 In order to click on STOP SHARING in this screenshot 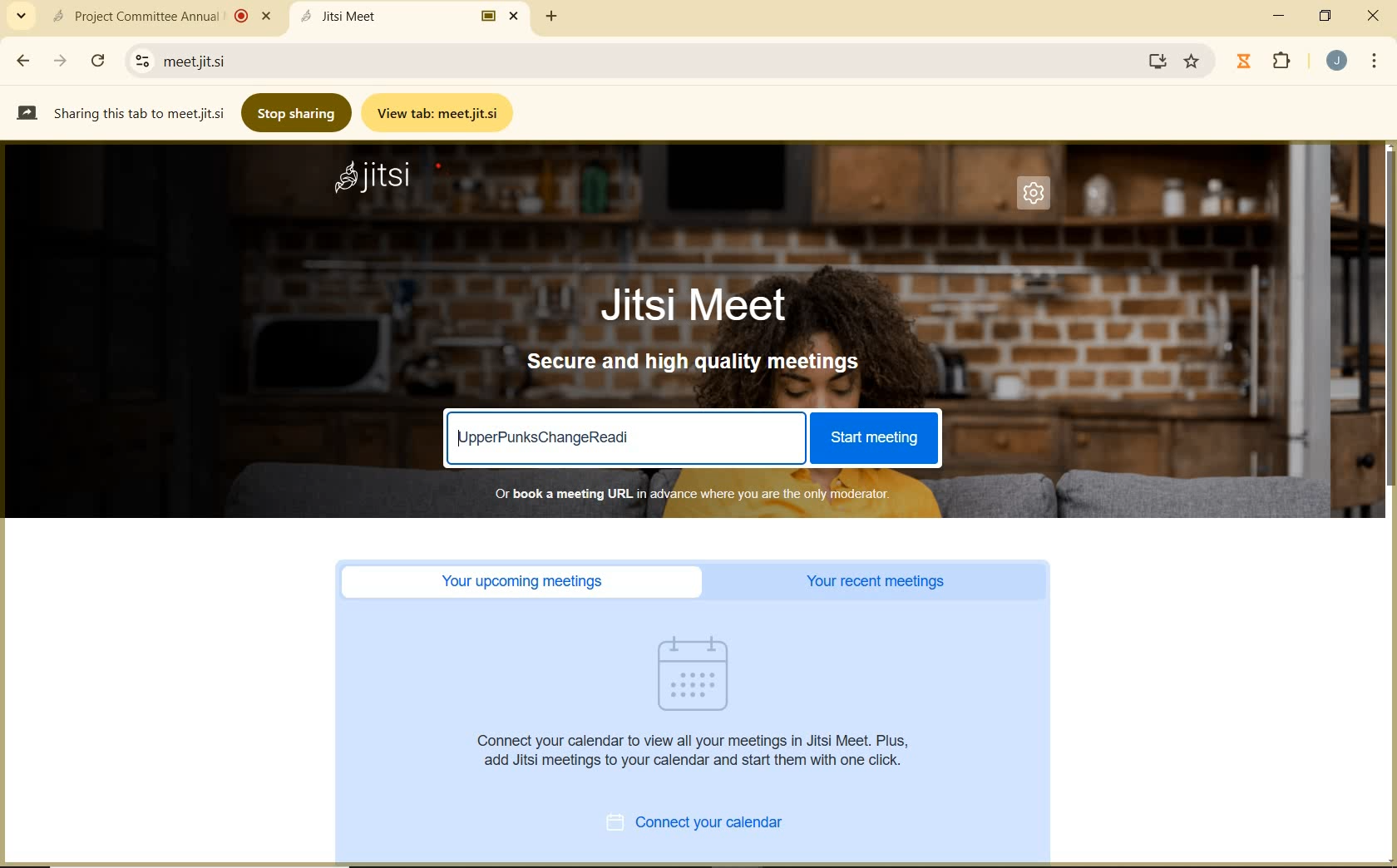, I will do `click(298, 111)`.